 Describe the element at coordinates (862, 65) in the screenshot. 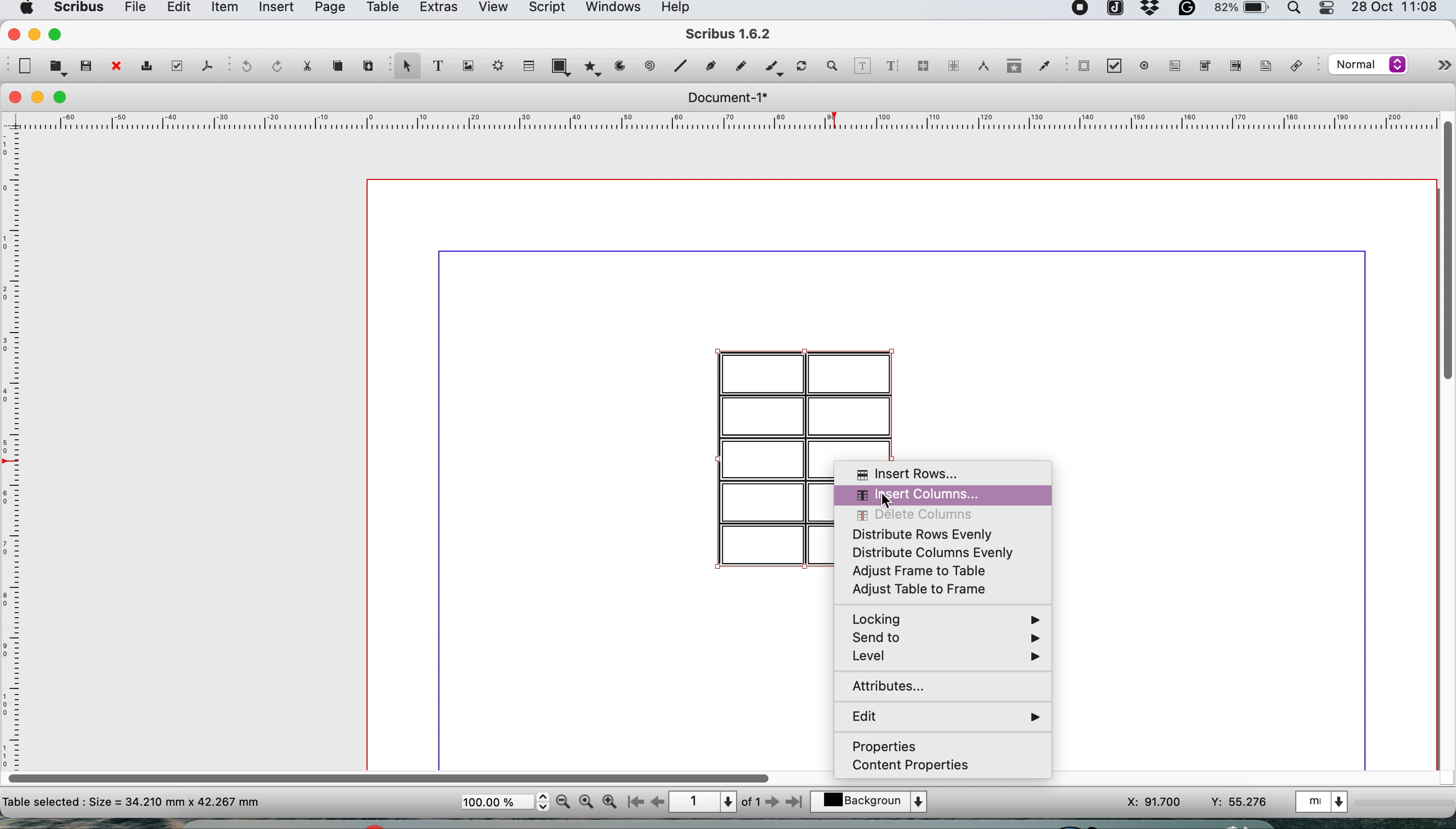

I see `edit contents of frame` at that location.